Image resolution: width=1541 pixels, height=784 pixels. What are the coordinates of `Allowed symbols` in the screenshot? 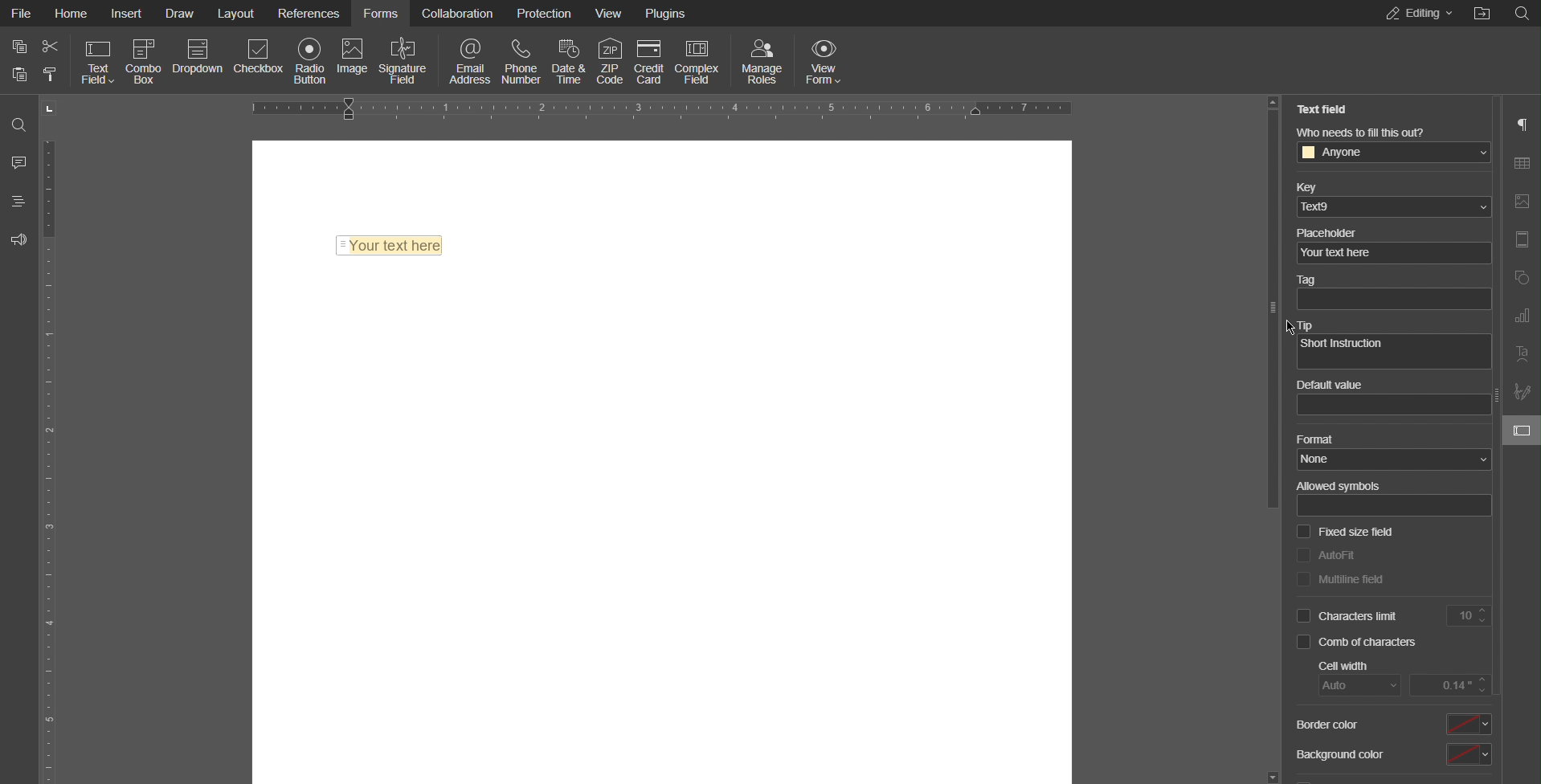 It's located at (1341, 484).